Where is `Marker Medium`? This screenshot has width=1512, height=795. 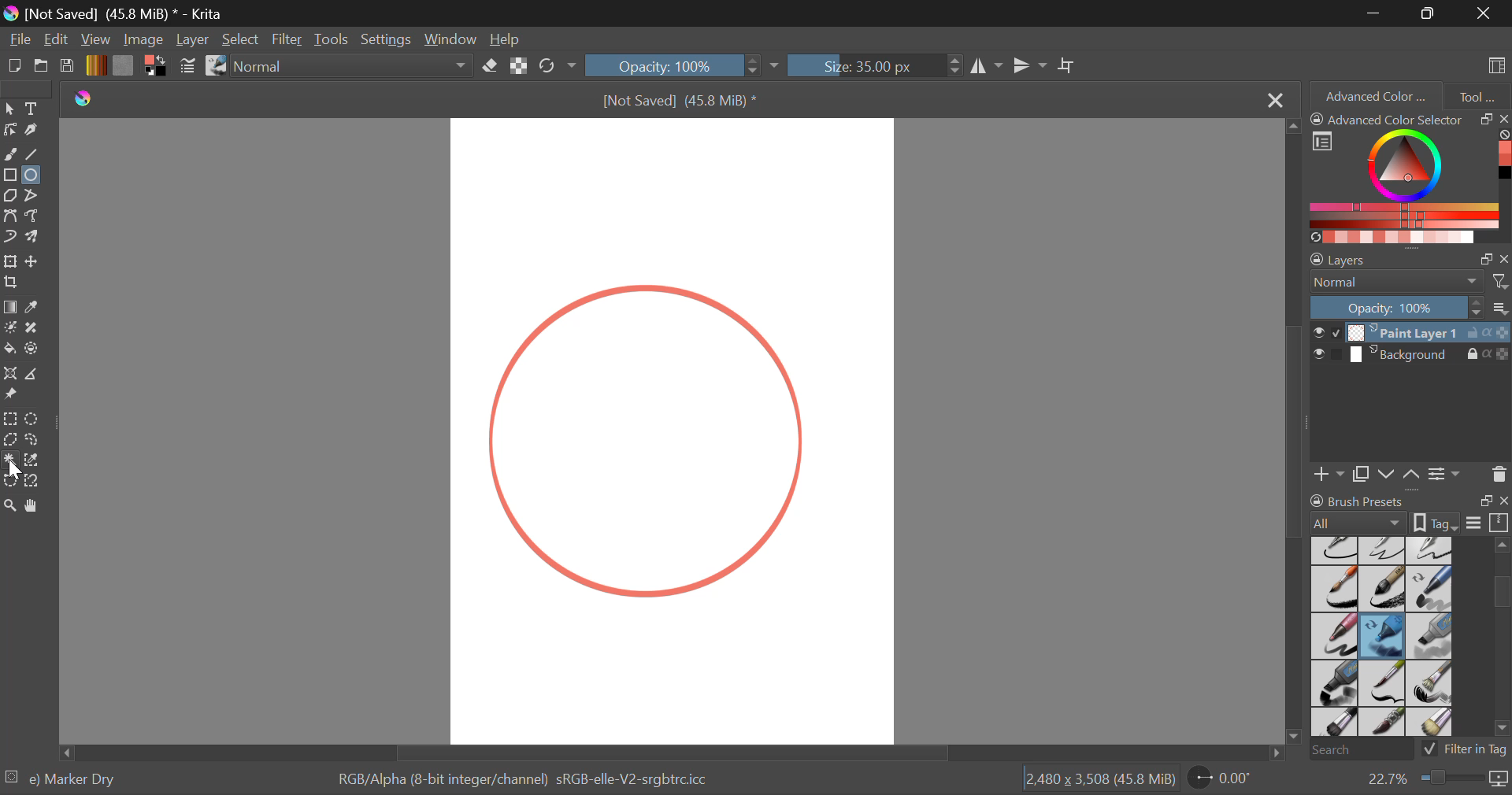 Marker Medium is located at coordinates (1431, 636).